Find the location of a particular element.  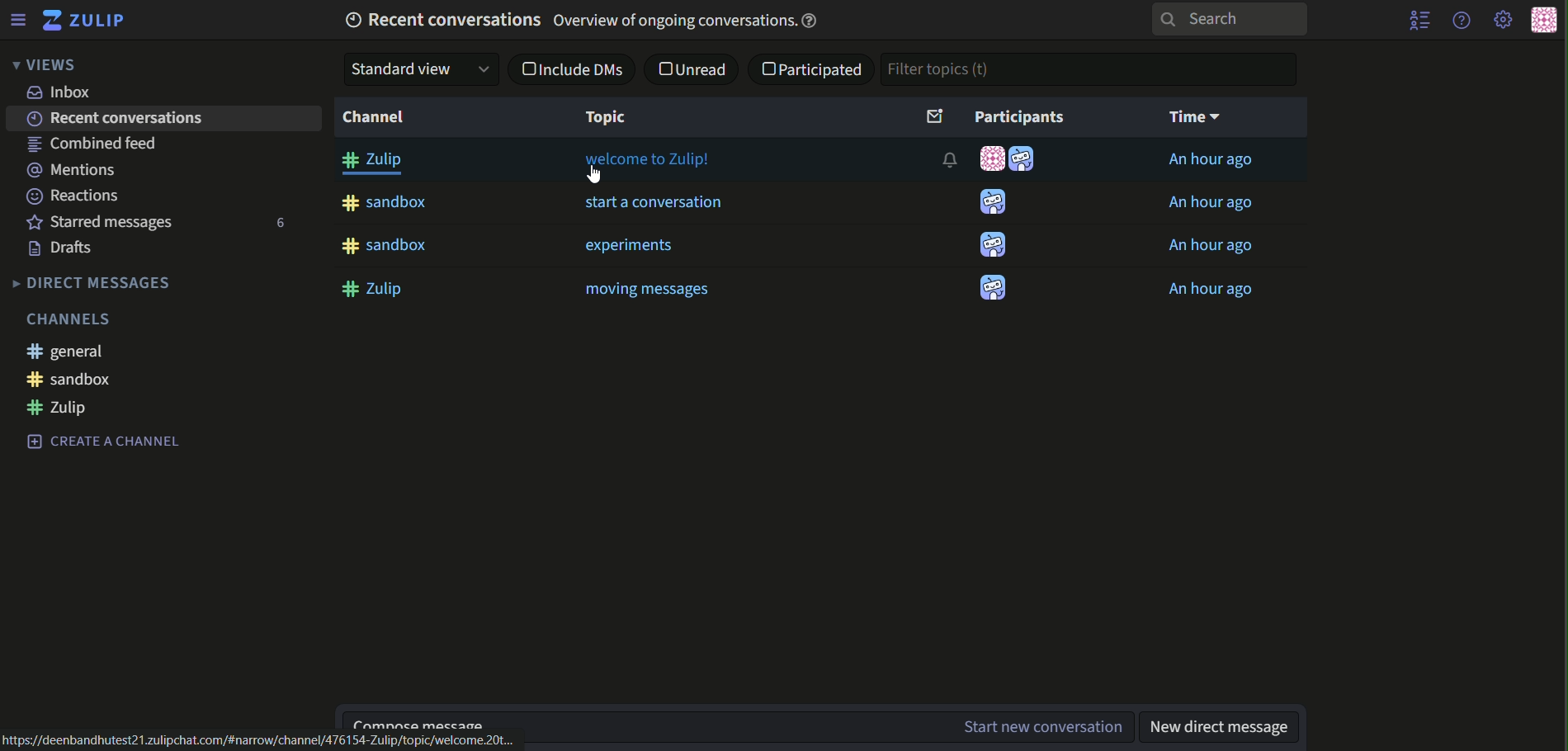

text is located at coordinates (74, 196).